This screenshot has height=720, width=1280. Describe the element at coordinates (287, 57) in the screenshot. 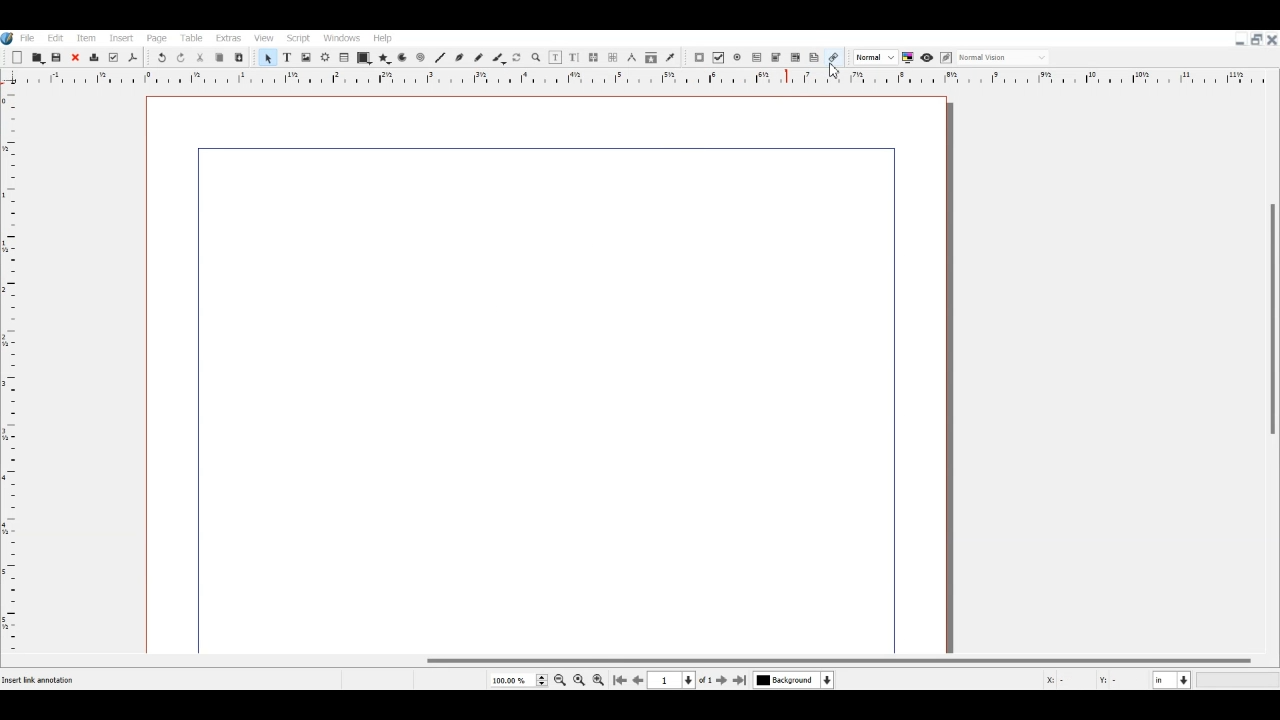

I see `Text Frame` at that location.